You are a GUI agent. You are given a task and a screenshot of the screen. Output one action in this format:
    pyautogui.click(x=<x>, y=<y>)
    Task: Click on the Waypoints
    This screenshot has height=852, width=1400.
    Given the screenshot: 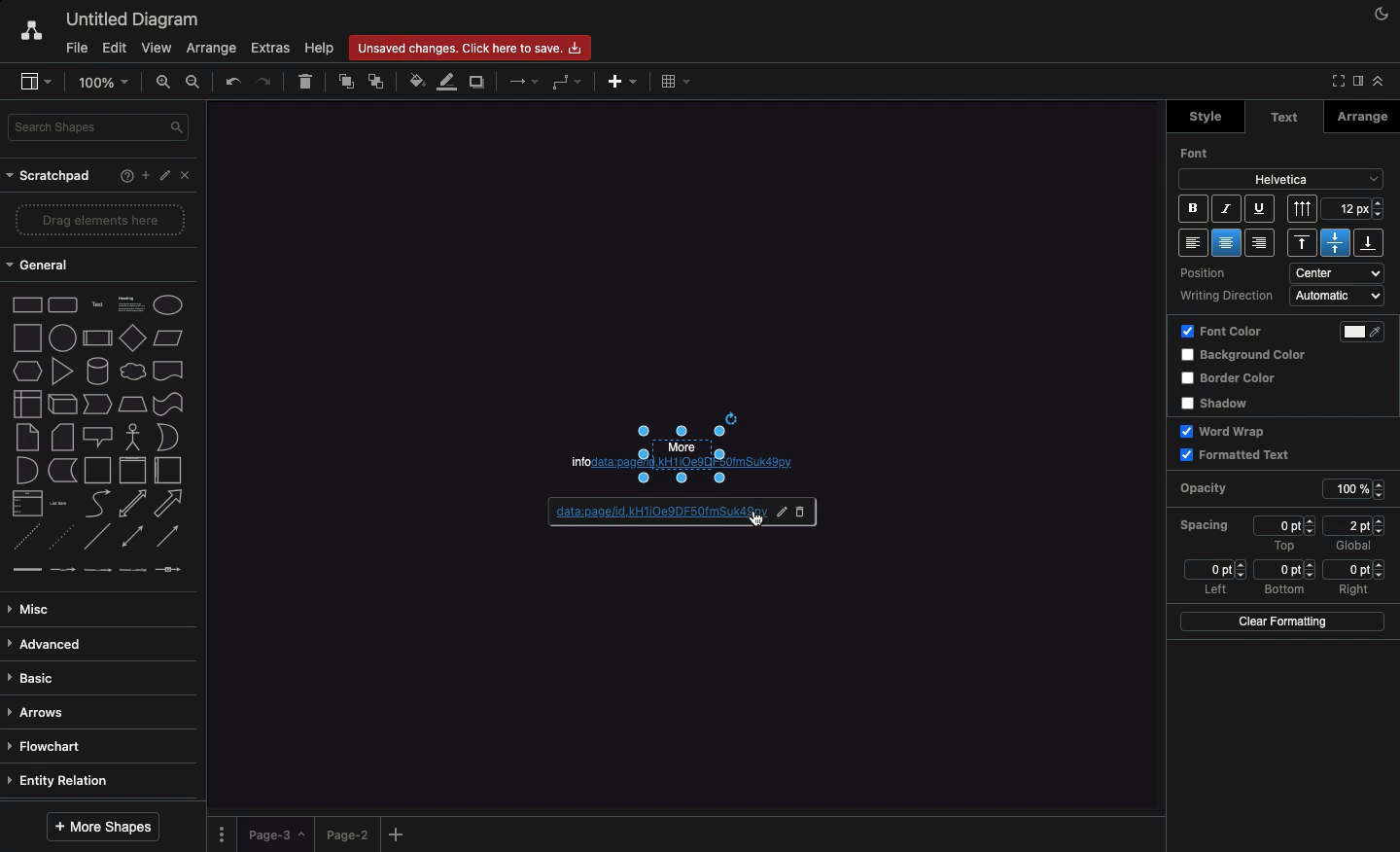 What is the action you would take?
    pyautogui.click(x=564, y=83)
    